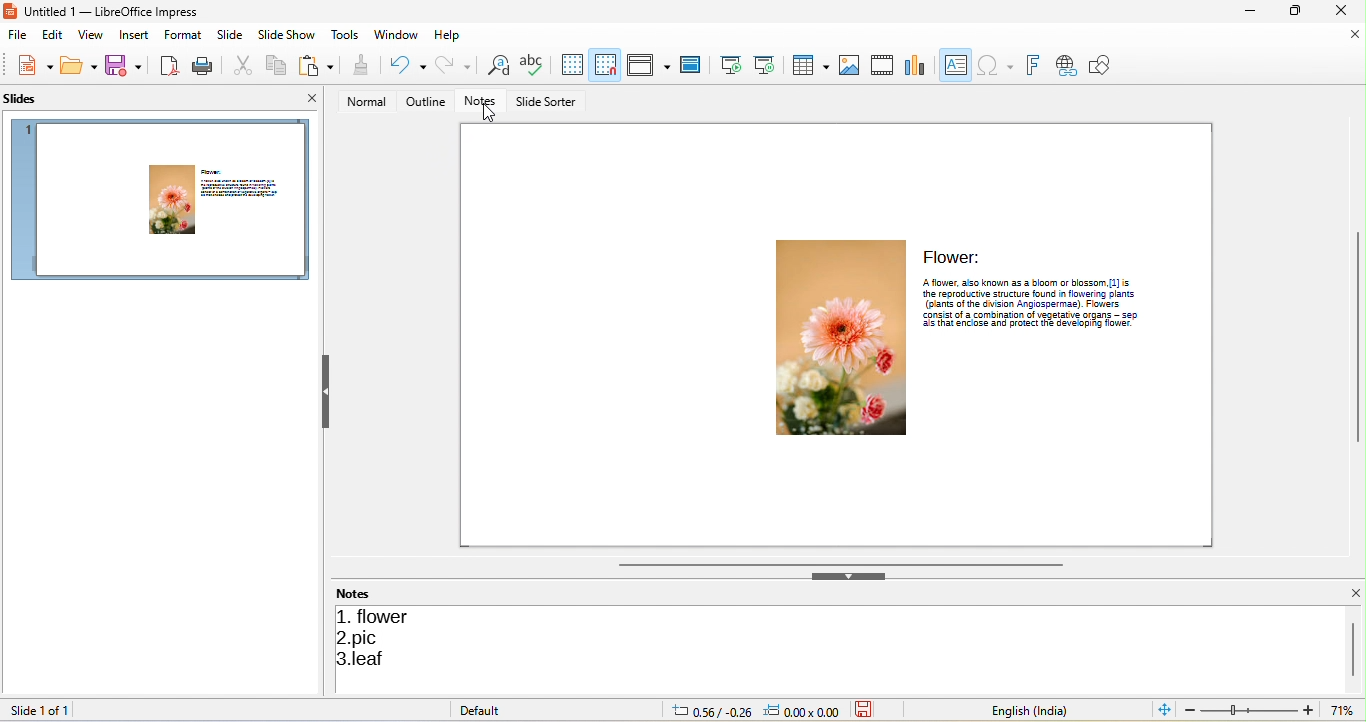 The height and width of the screenshot is (722, 1366). What do you see at coordinates (1355, 647) in the screenshot?
I see `vertical scroll bar` at bounding box center [1355, 647].